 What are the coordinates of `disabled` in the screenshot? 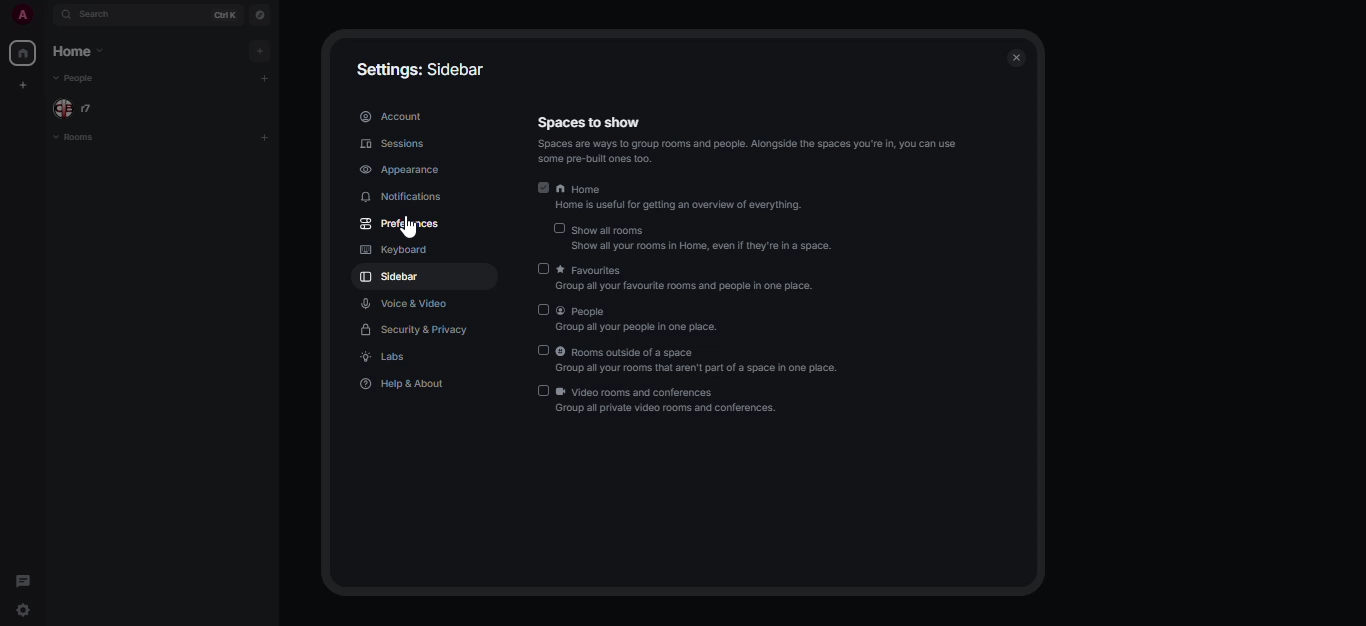 It's located at (560, 227).